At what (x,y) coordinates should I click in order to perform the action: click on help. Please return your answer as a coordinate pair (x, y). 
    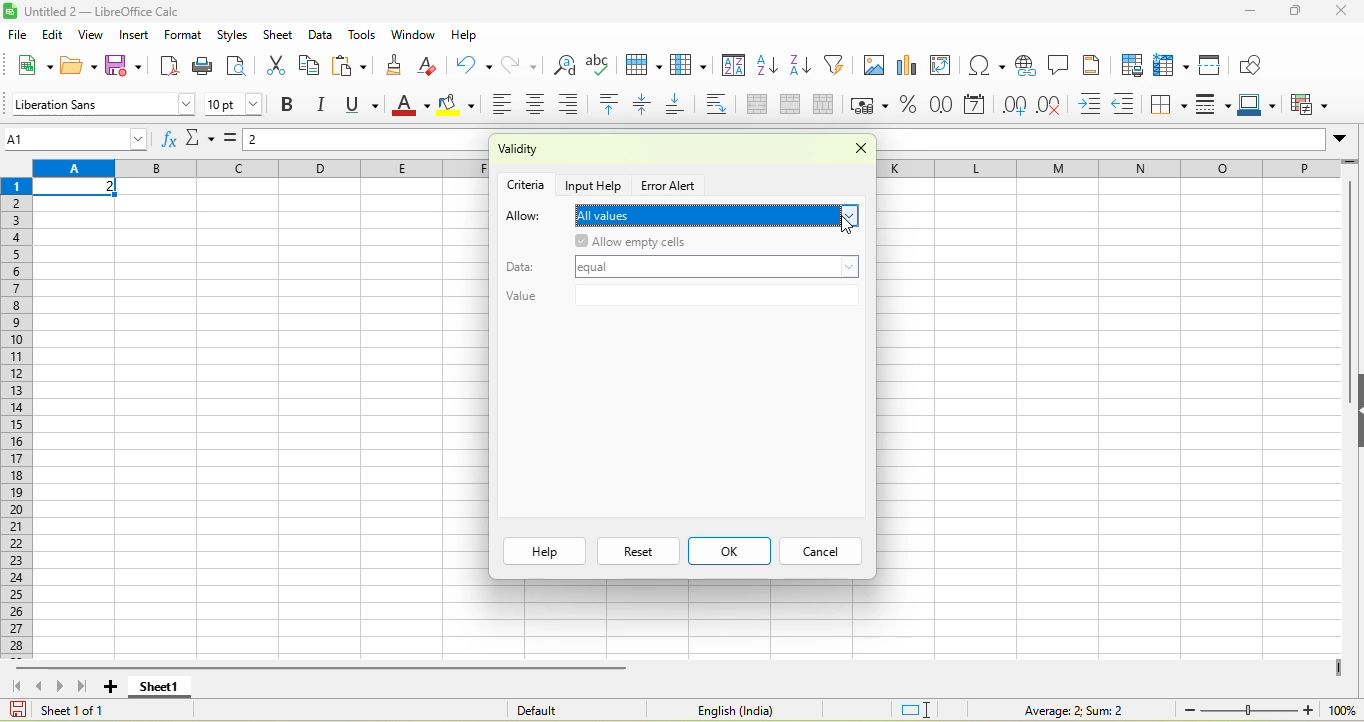
    Looking at the image, I should click on (464, 34).